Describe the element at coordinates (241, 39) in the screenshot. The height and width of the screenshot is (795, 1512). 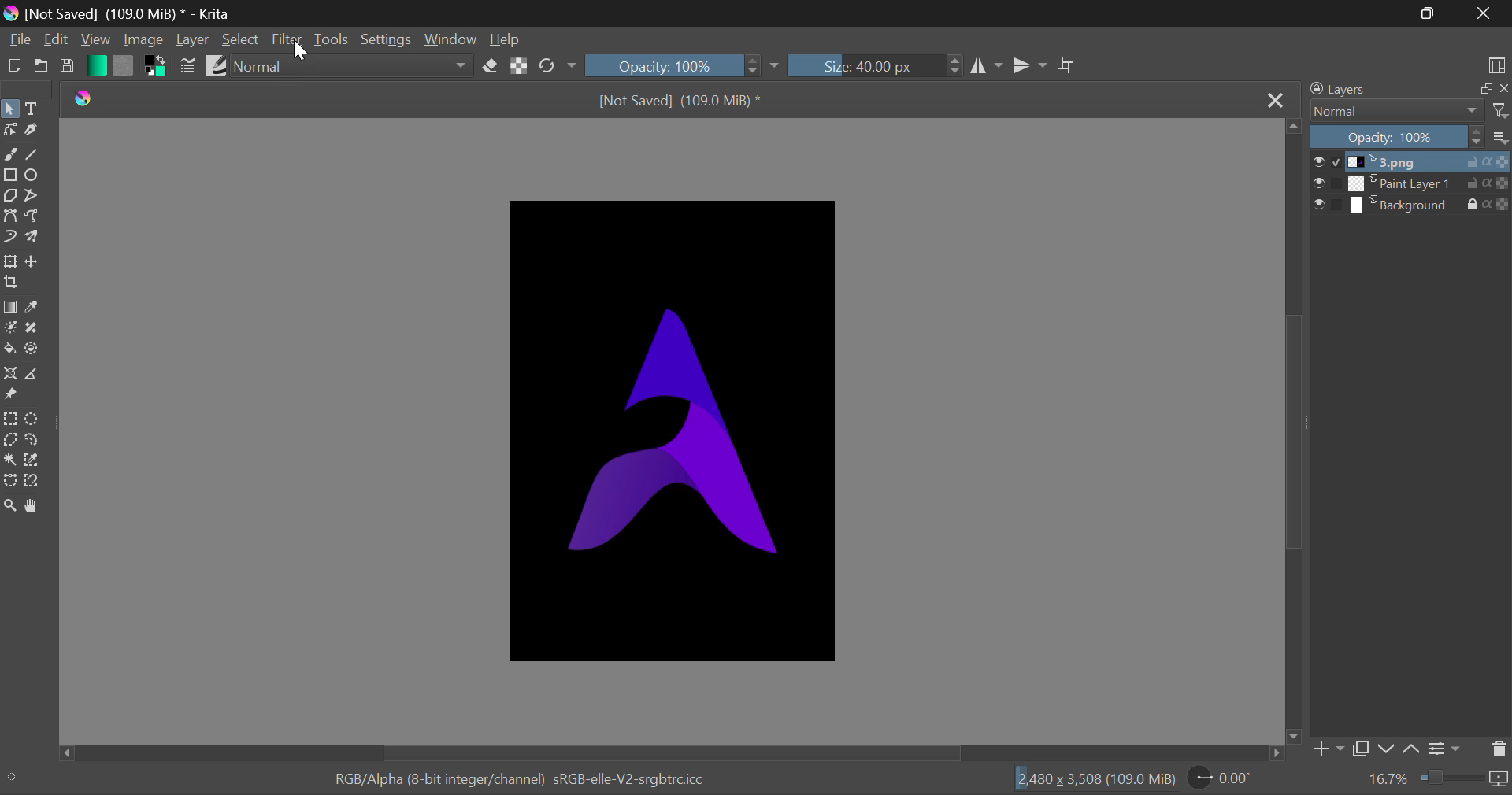
I see `Select` at that location.